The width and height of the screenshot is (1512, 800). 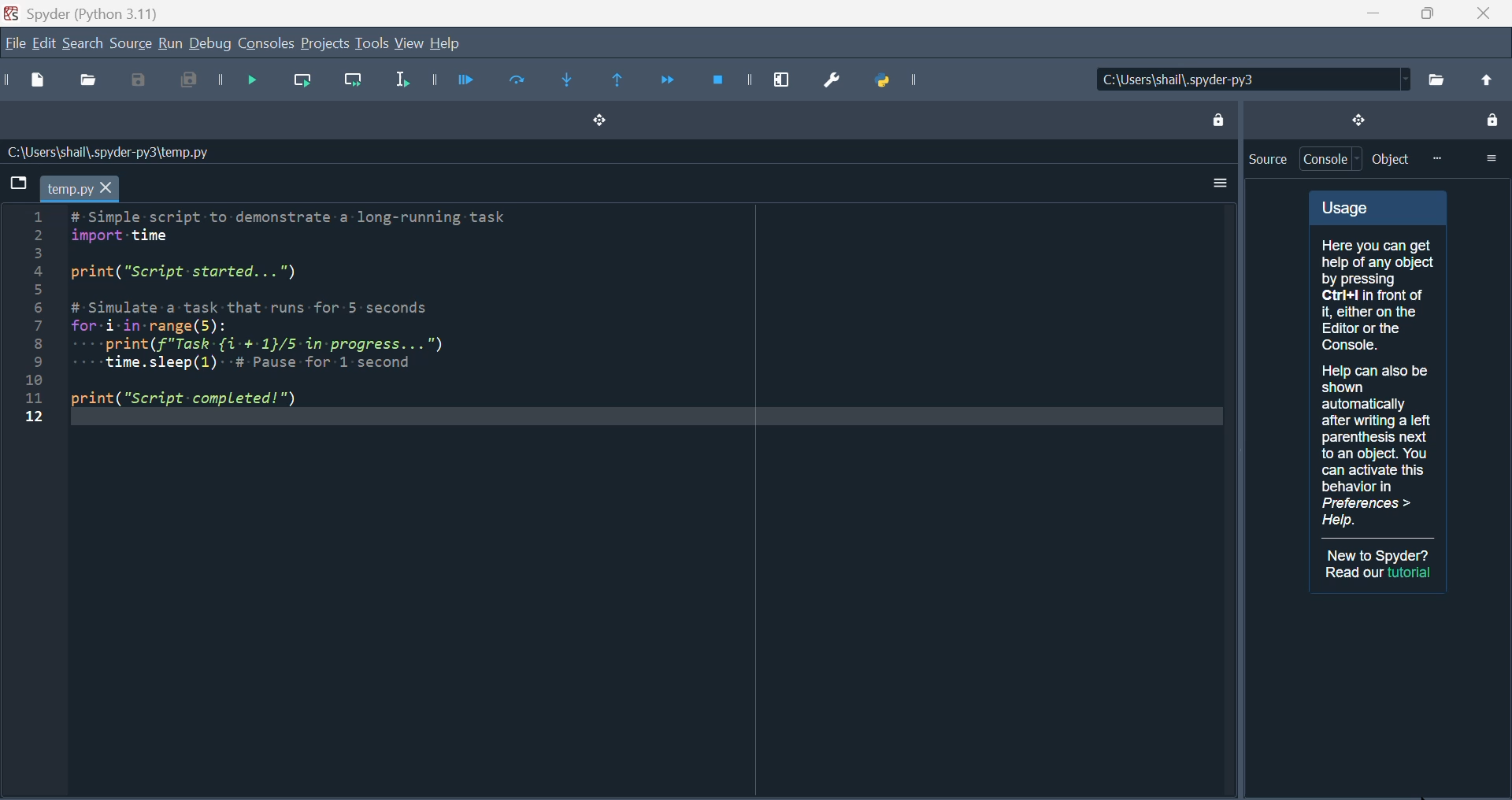 What do you see at coordinates (324, 44) in the screenshot?
I see `Projects` at bounding box center [324, 44].